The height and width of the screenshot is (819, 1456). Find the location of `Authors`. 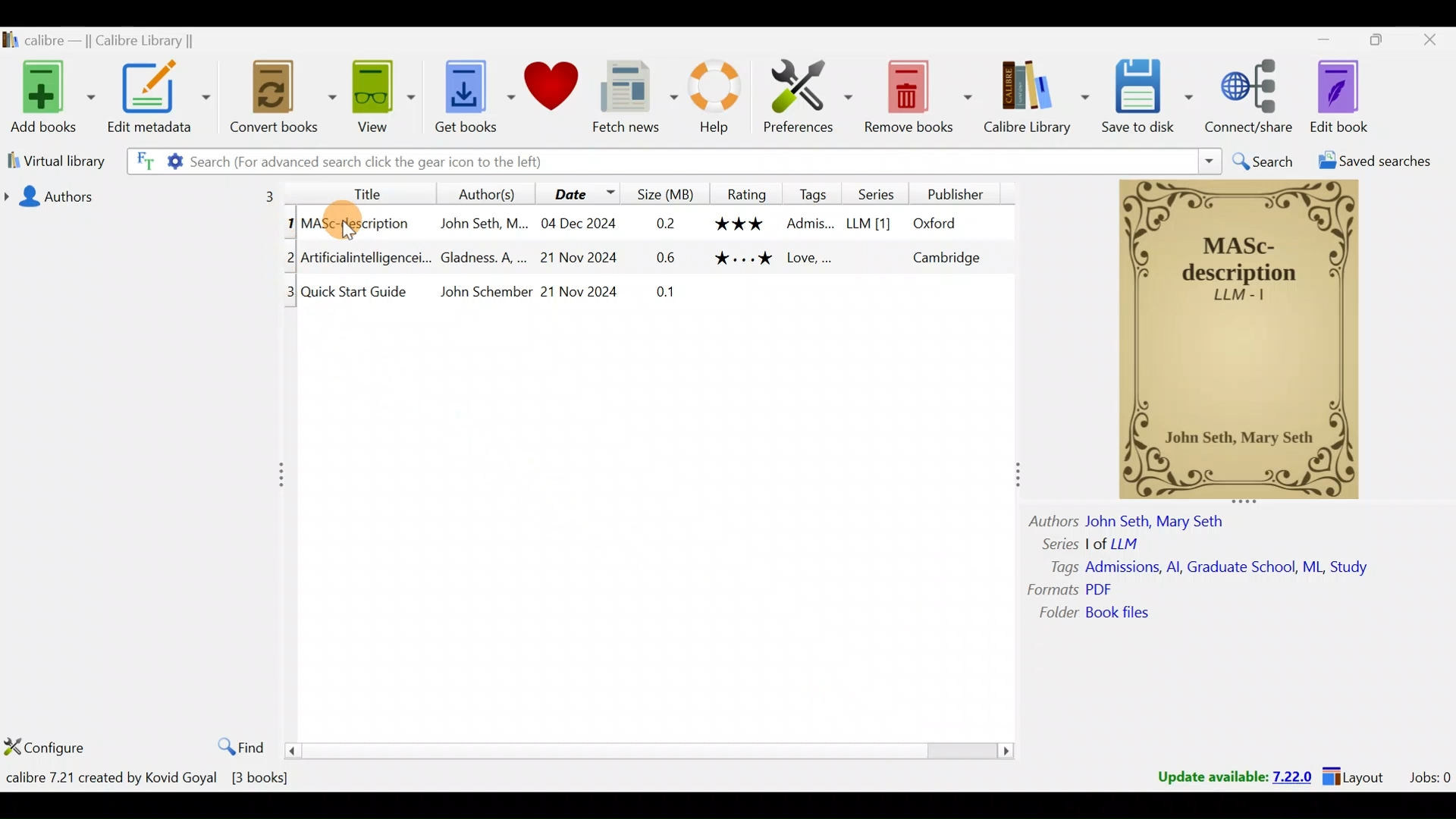

Authors is located at coordinates (143, 197).